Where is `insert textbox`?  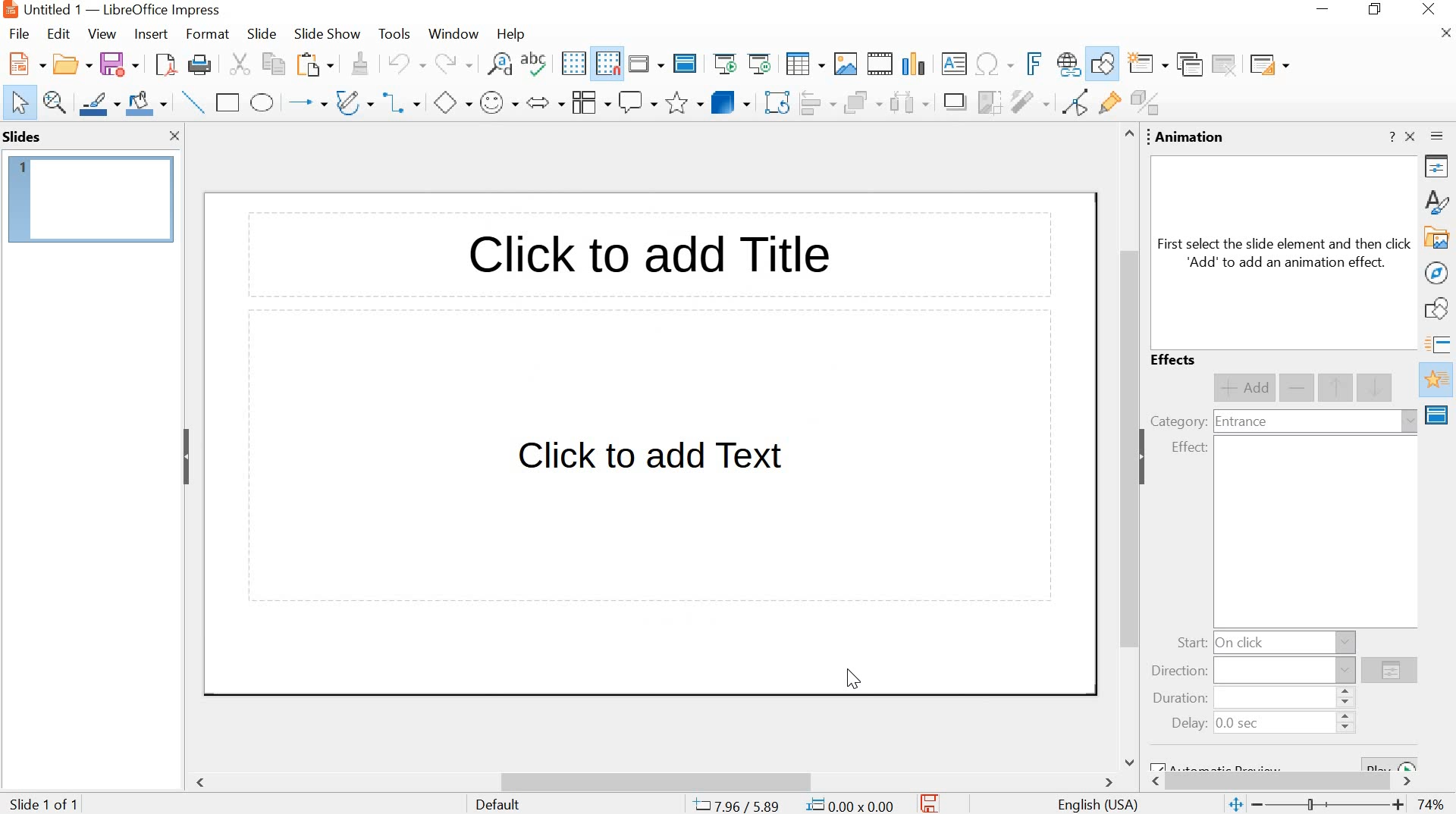
insert textbox is located at coordinates (955, 64).